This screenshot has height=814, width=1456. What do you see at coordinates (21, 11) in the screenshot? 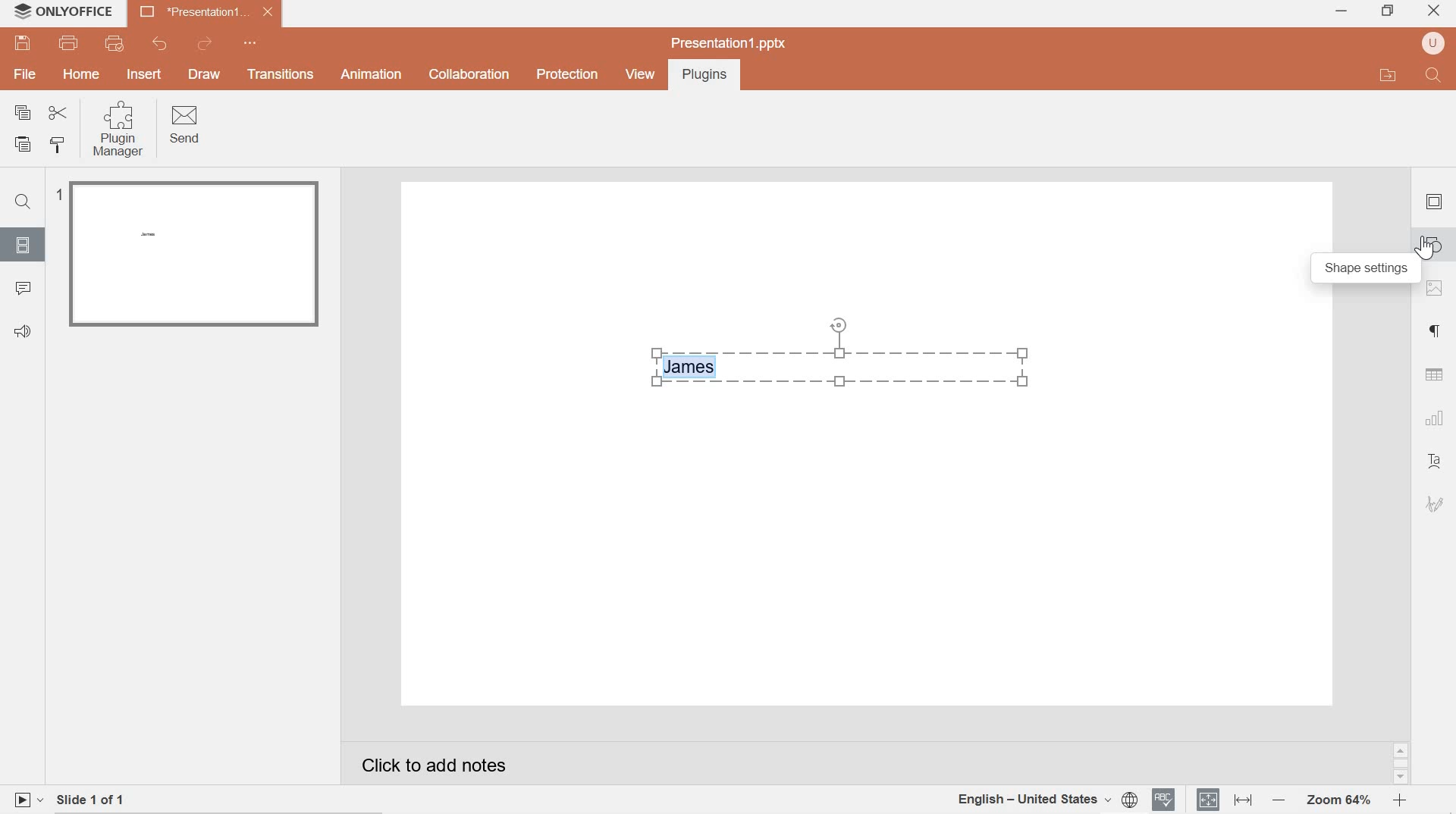
I see `system logo` at bounding box center [21, 11].